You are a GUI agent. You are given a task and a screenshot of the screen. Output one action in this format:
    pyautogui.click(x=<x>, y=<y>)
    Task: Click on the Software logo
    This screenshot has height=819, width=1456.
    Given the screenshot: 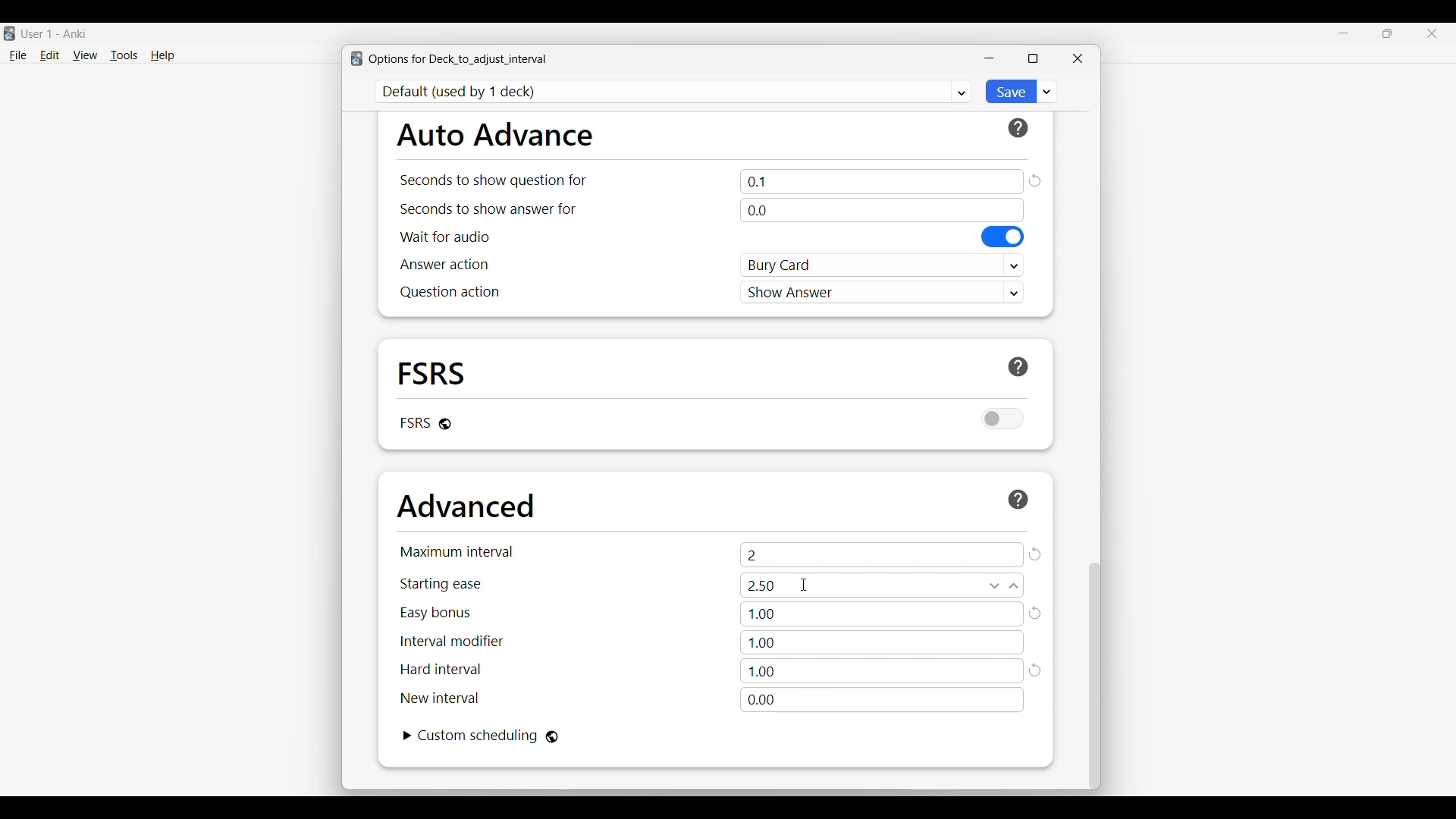 What is the action you would take?
    pyautogui.click(x=9, y=33)
    